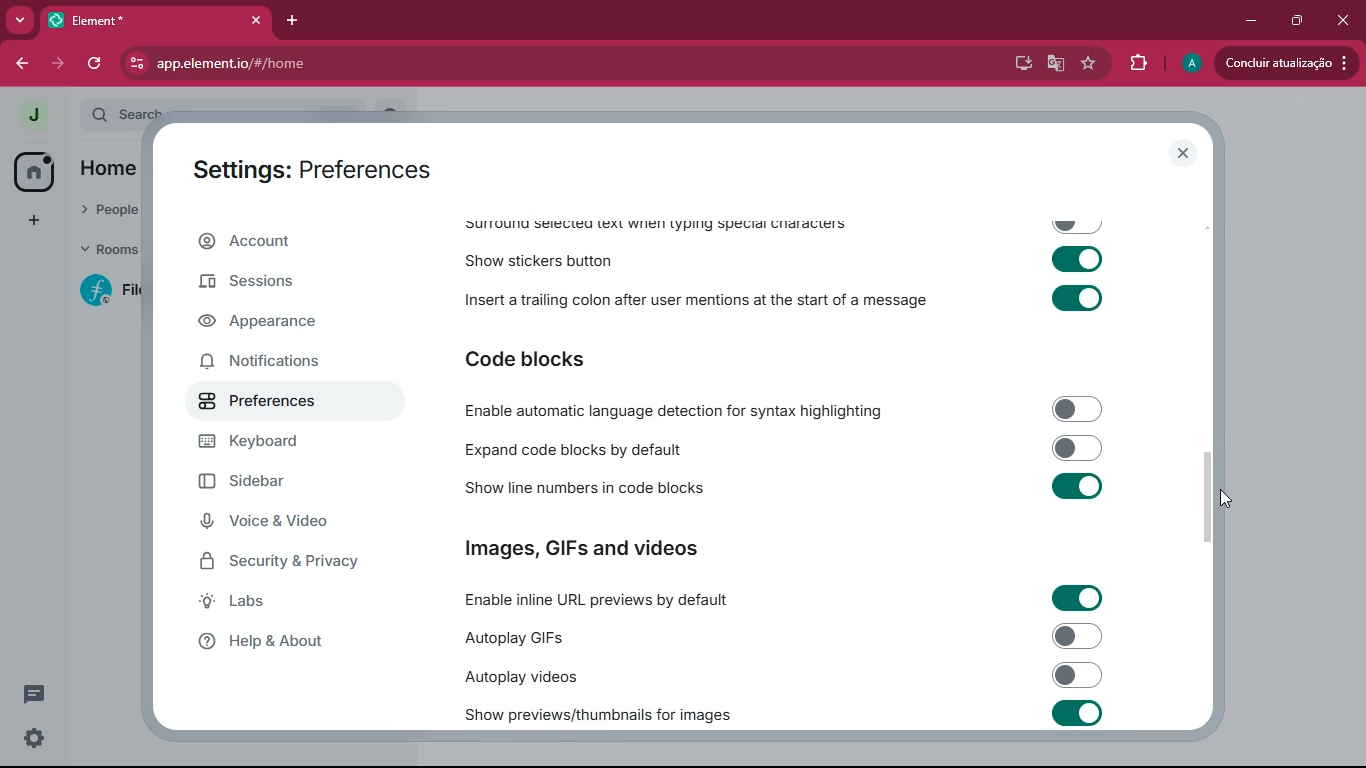  What do you see at coordinates (287, 241) in the screenshot?
I see `account` at bounding box center [287, 241].